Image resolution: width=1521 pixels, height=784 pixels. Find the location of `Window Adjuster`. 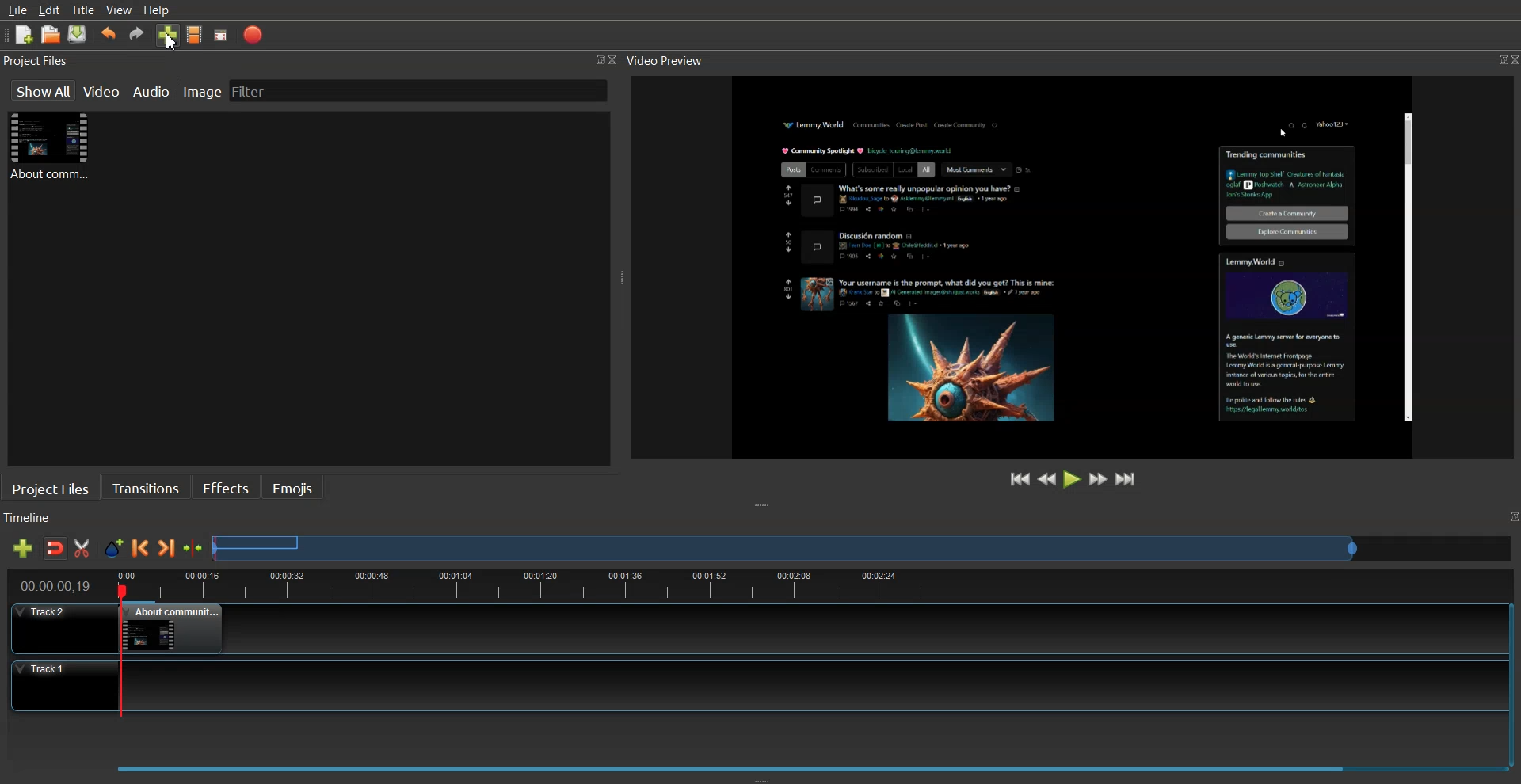

Window Adjuster is located at coordinates (764, 506).